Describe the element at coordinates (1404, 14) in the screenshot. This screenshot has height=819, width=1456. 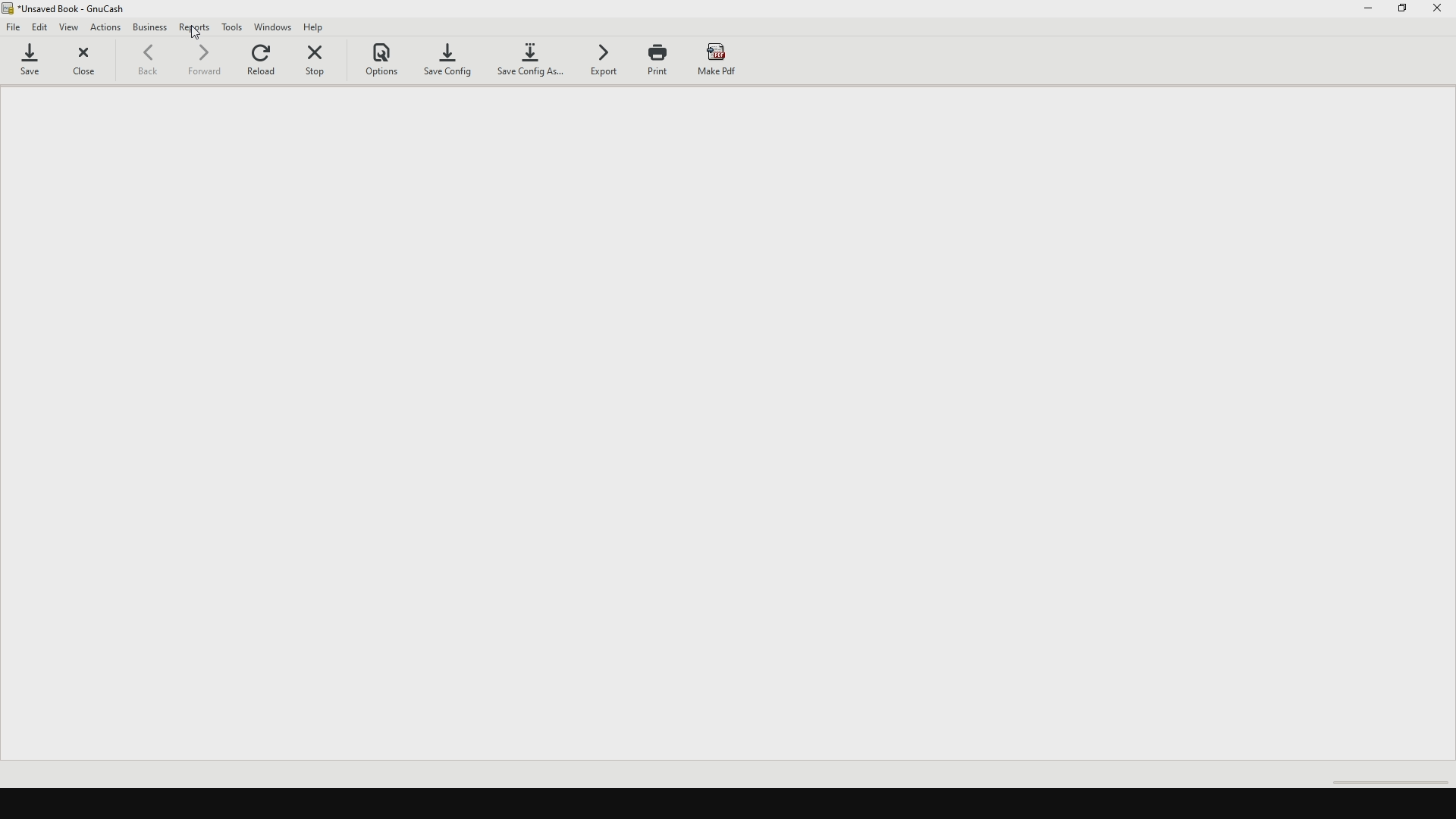
I see `maximize` at that location.